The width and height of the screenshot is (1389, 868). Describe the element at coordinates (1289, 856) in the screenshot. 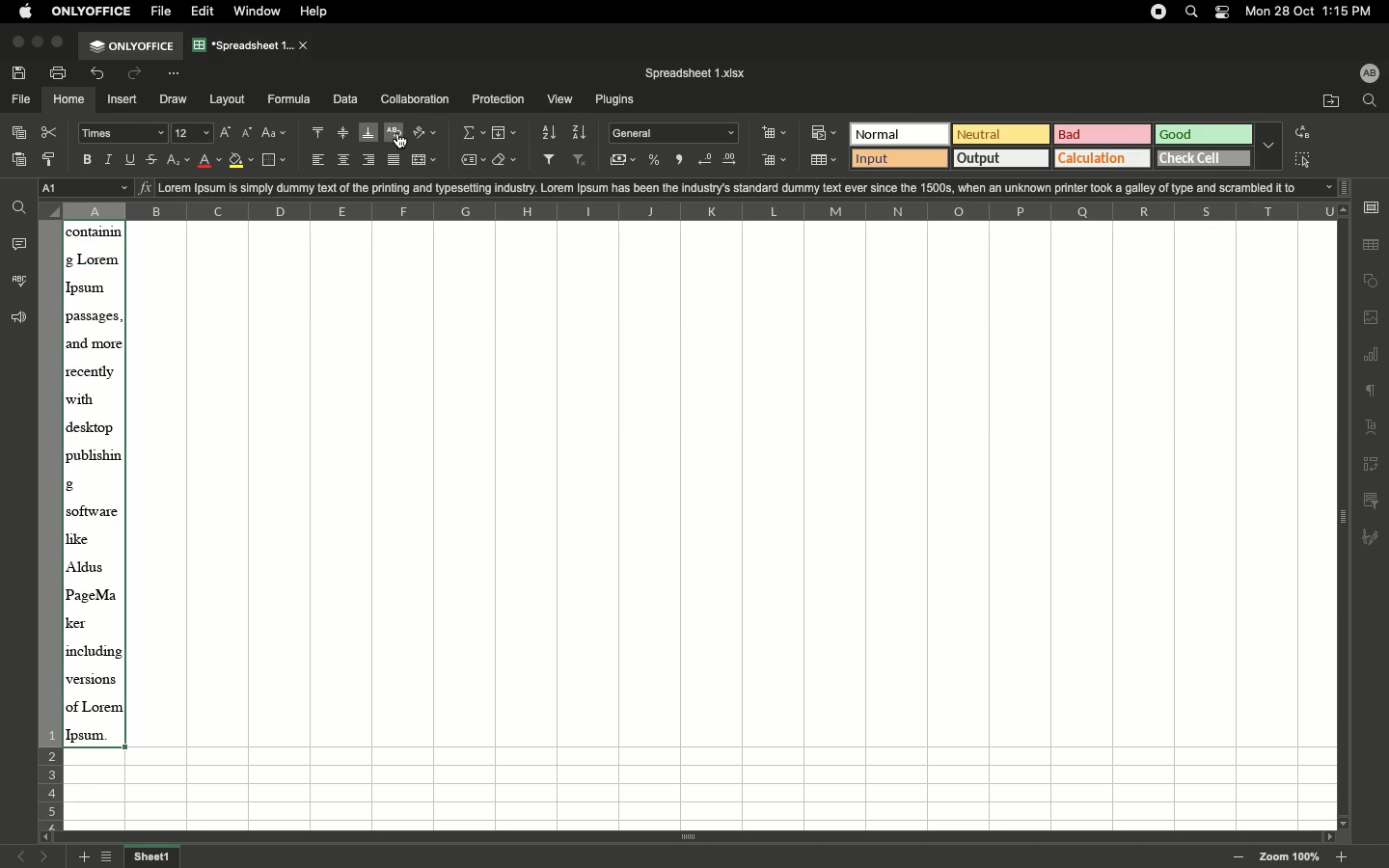

I see `Zoom ` at that location.